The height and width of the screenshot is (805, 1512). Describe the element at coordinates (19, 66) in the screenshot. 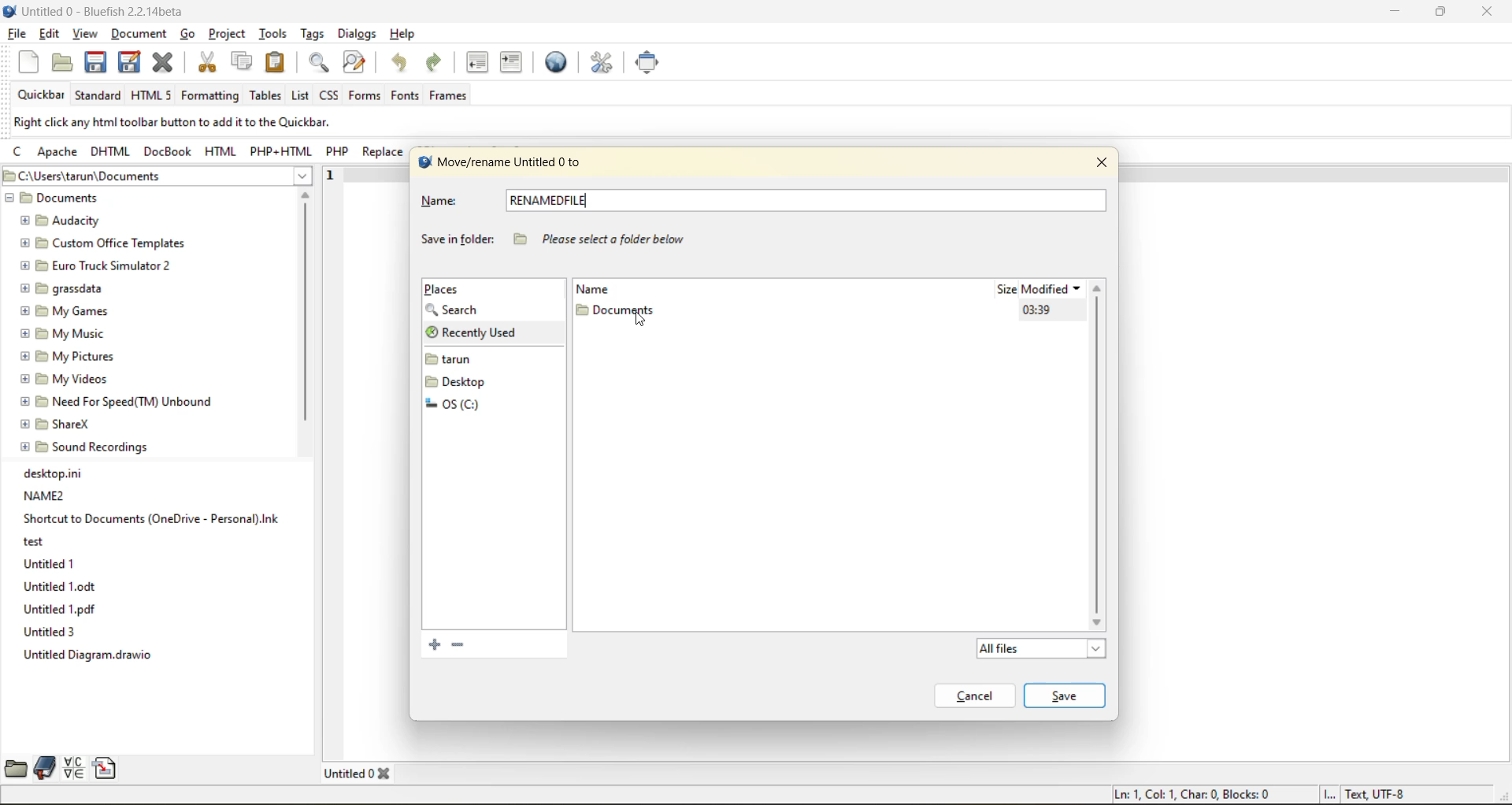

I see `new` at that location.